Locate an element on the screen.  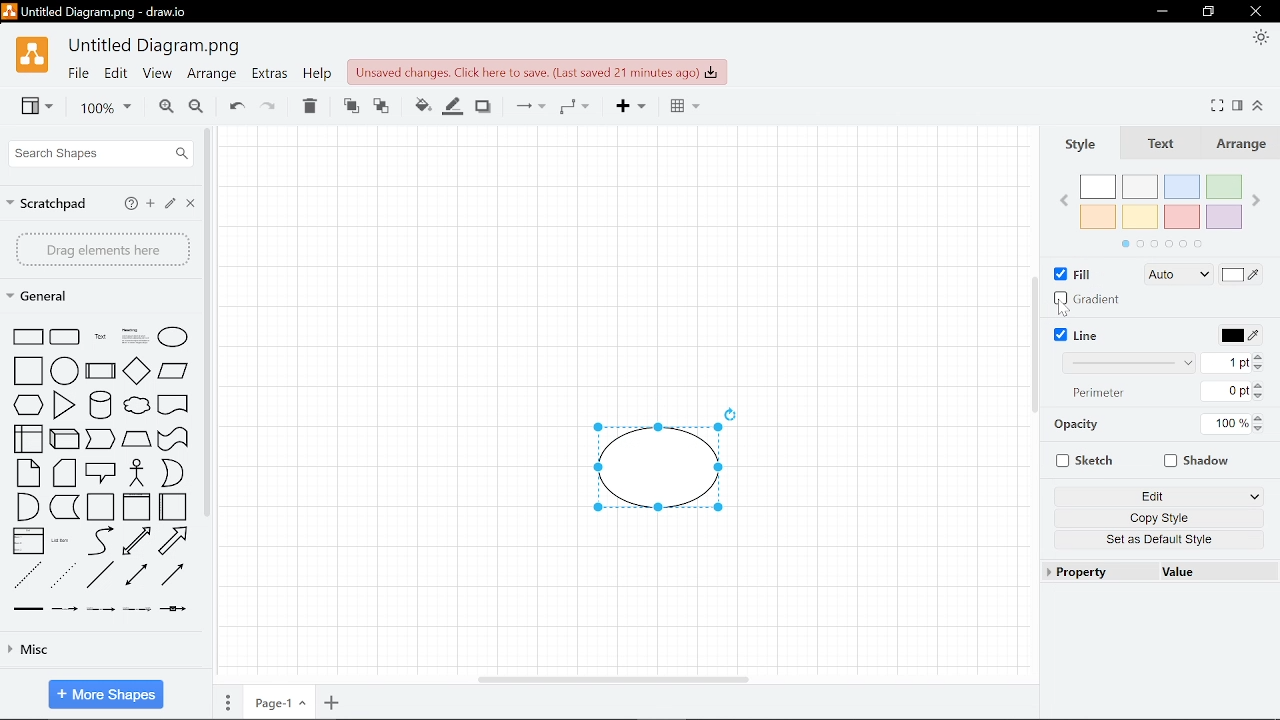
Increase perimeter is located at coordinates (1261, 384).